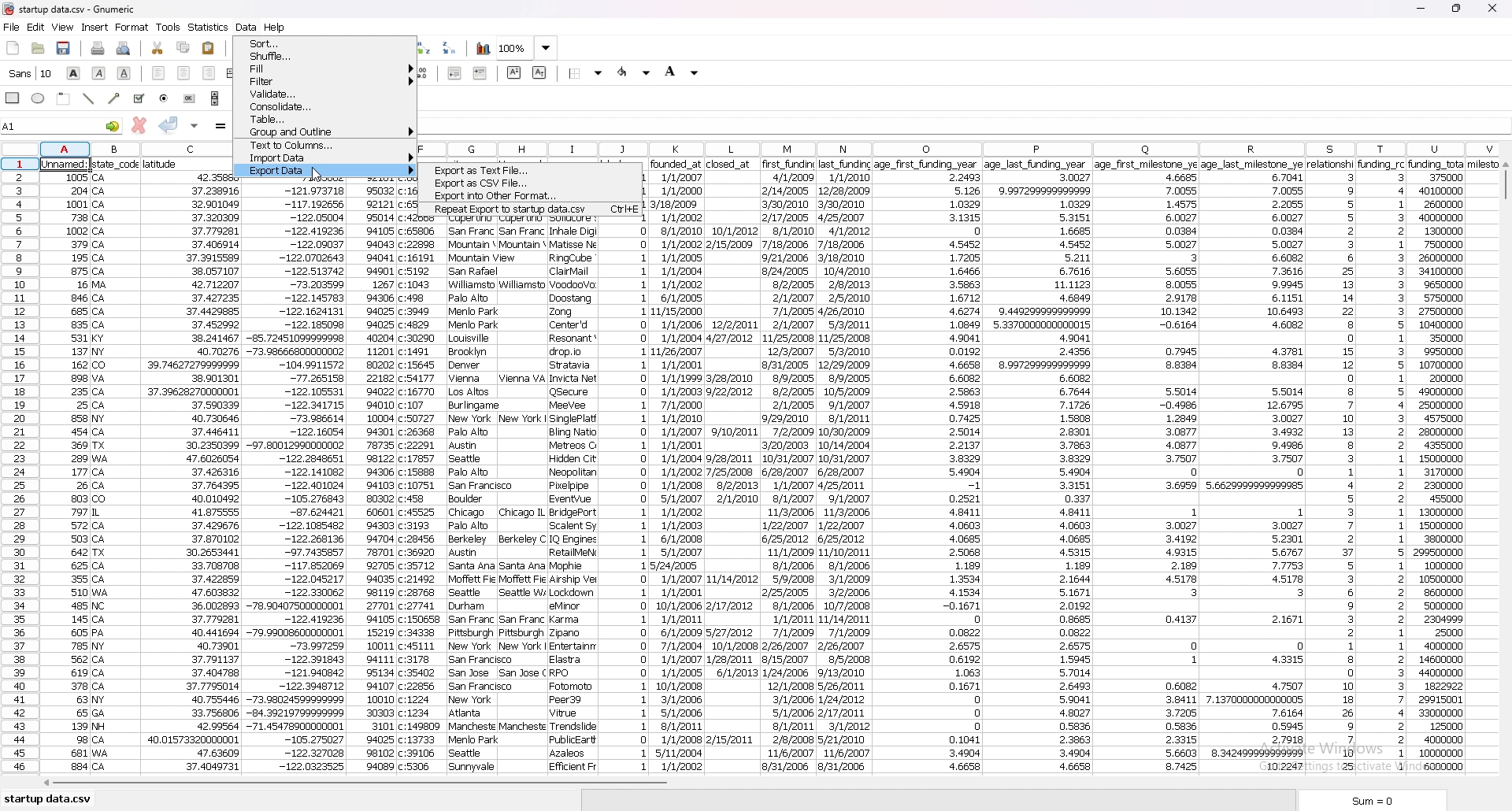 The height and width of the screenshot is (811, 1512). I want to click on background, so click(682, 72).